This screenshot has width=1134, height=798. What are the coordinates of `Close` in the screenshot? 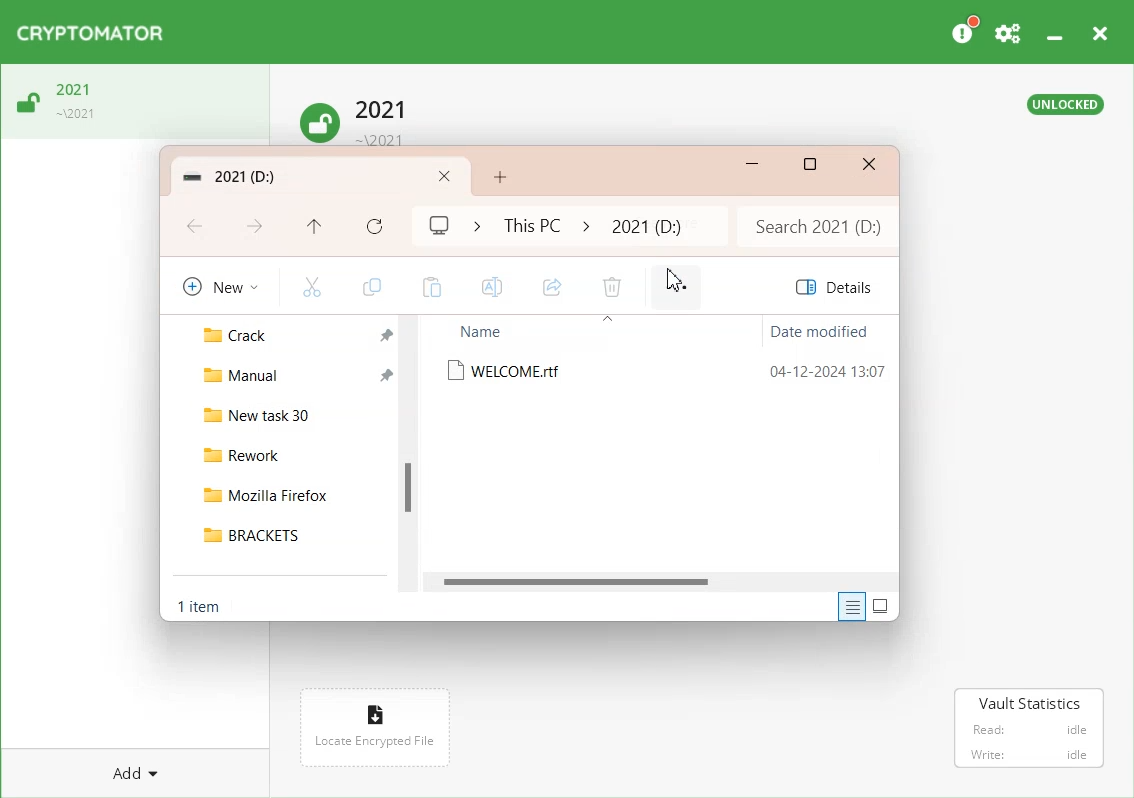 It's located at (1099, 30).